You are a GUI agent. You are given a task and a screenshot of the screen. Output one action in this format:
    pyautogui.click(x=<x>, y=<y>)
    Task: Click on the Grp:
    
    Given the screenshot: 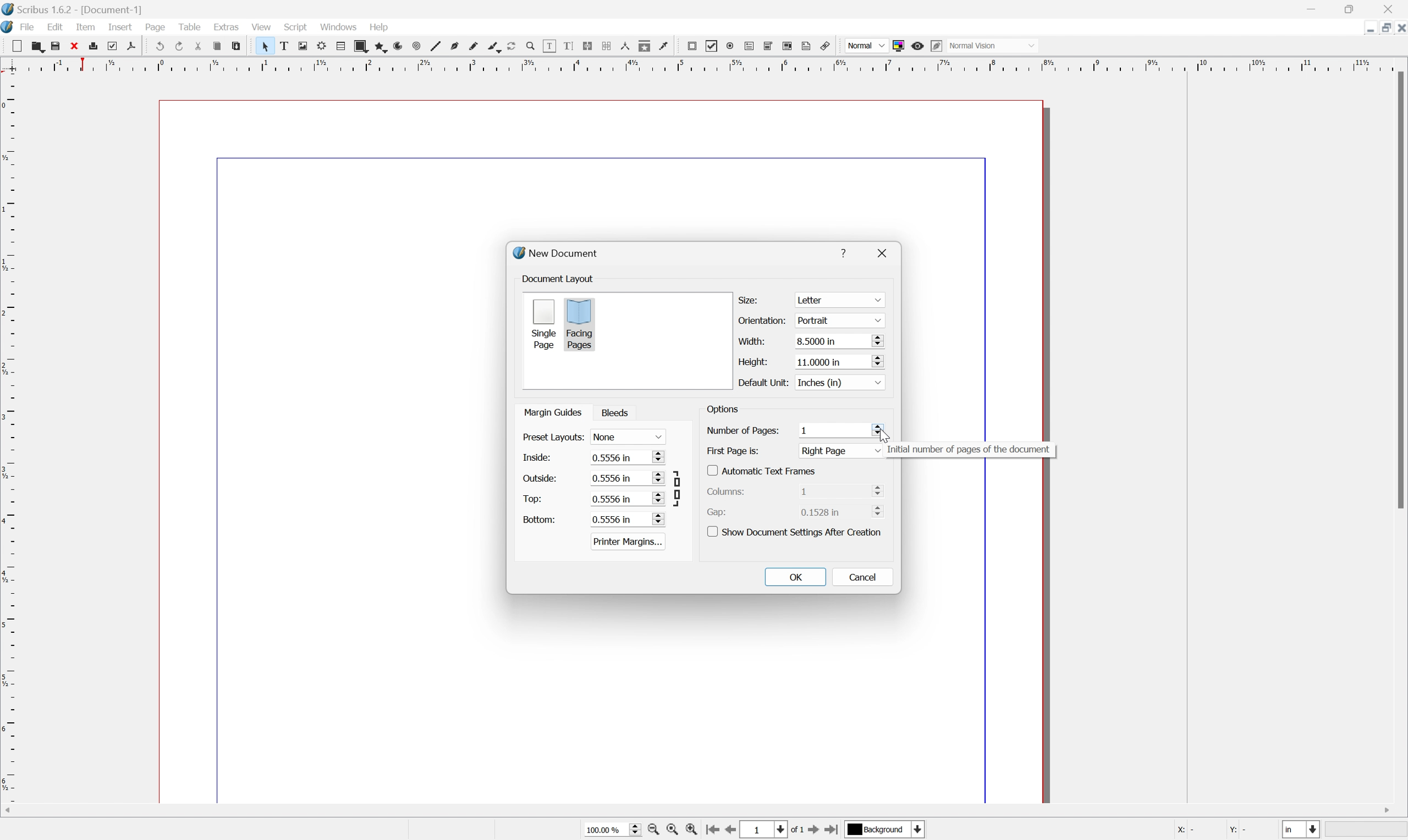 What is the action you would take?
    pyautogui.click(x=719, y=512)
    